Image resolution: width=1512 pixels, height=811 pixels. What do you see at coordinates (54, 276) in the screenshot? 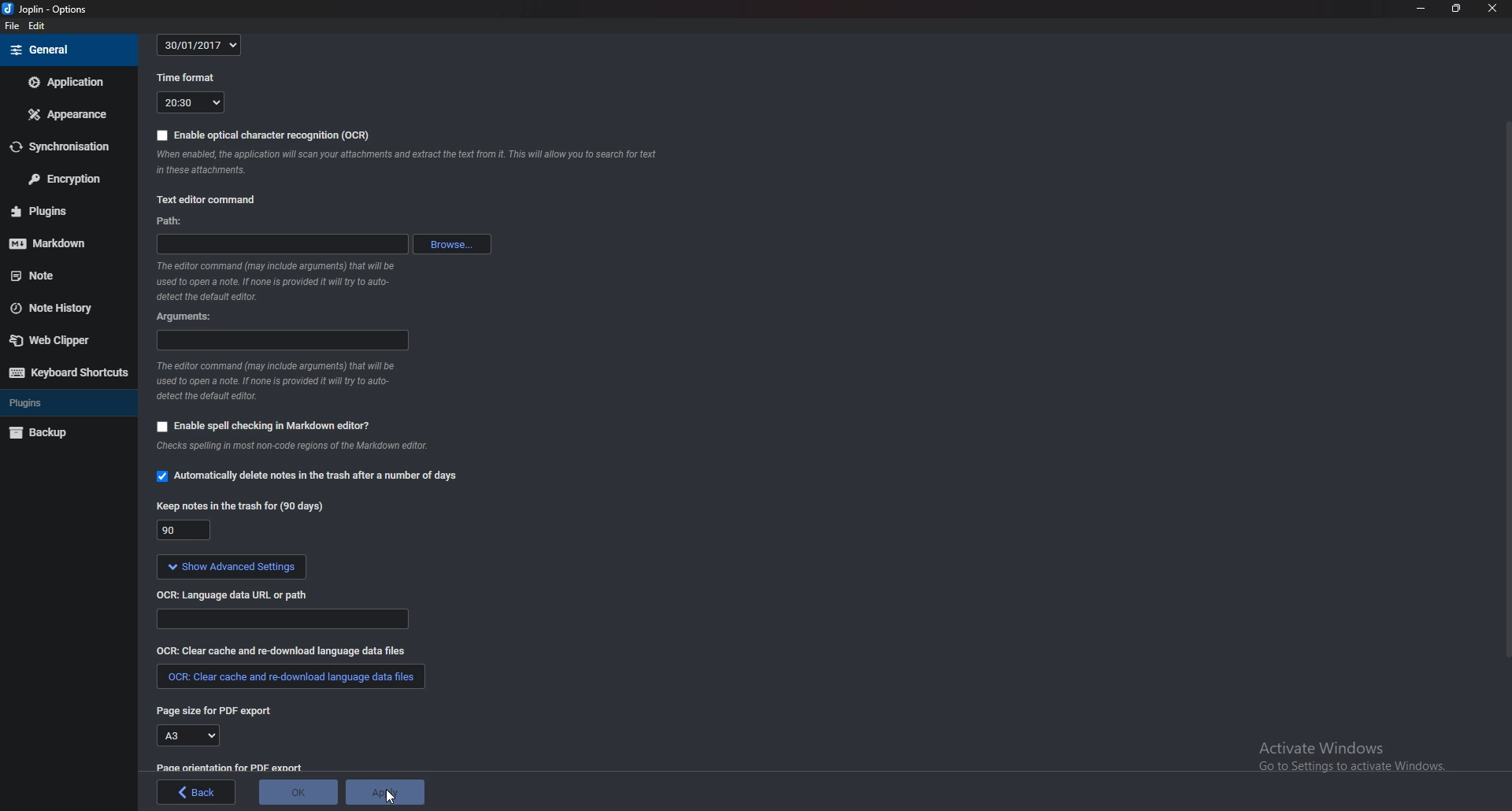
I see `note` at bounding box center [54, 276].